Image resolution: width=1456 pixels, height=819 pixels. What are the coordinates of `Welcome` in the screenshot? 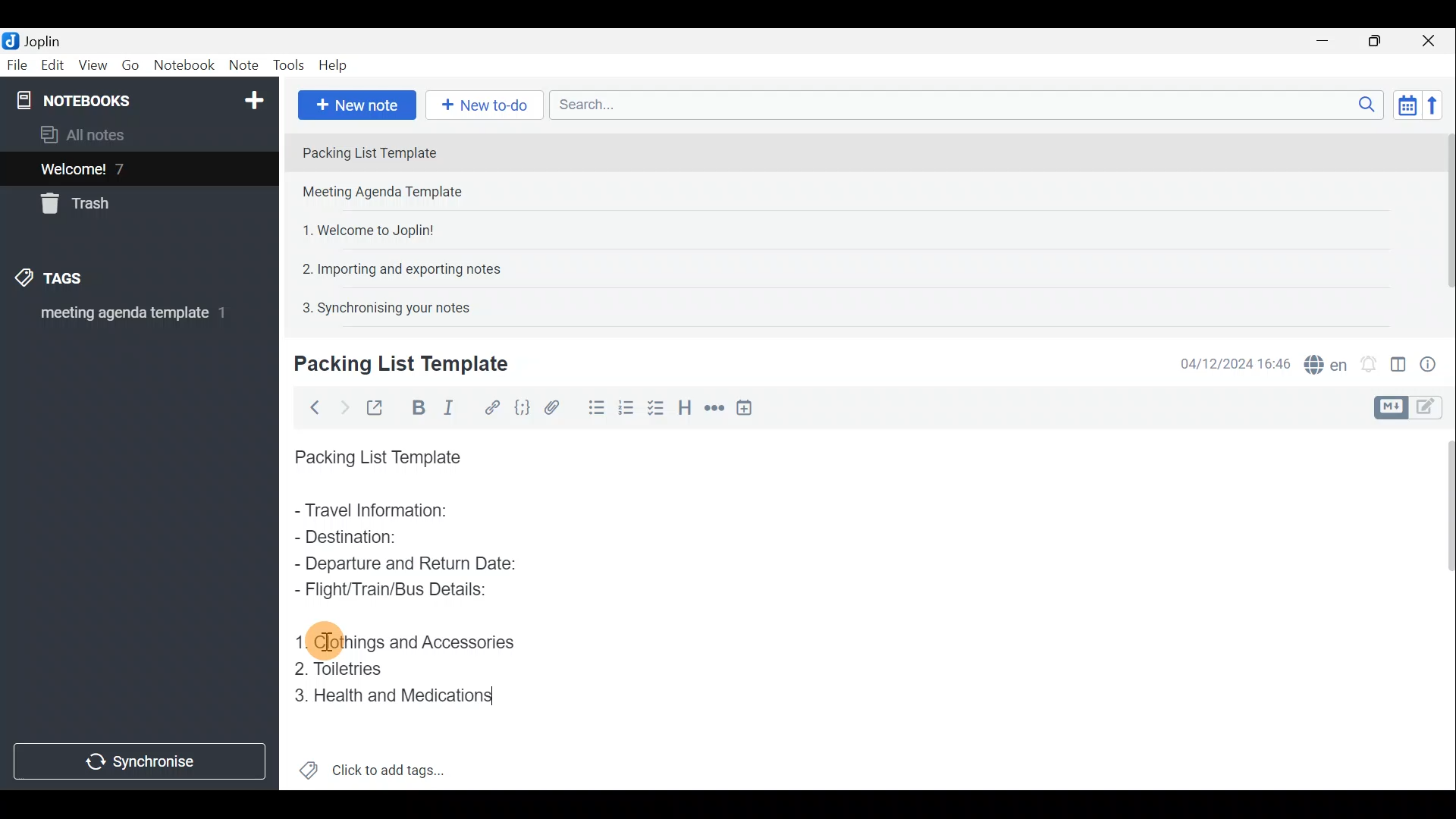 It's located at (116, 168).